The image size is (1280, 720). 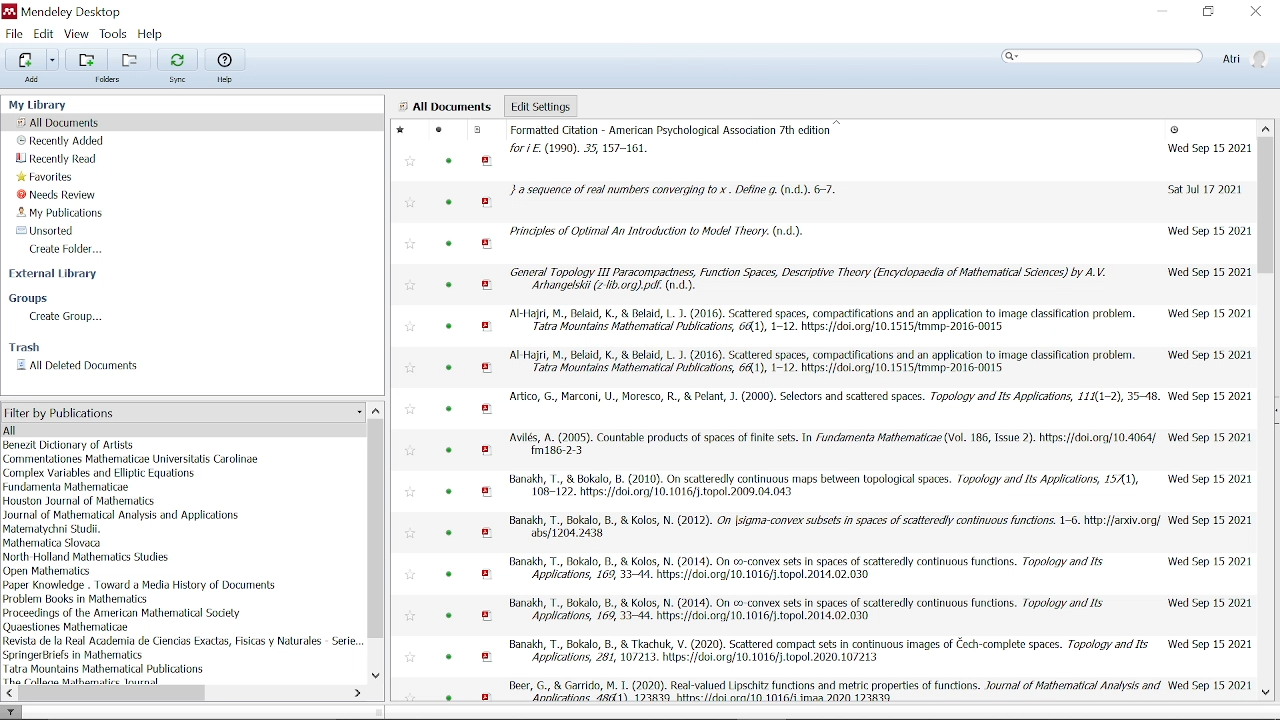 What do you see at coordinates (67, 487) in the screenshot?
I see `author` at bounding box center [67, 487].